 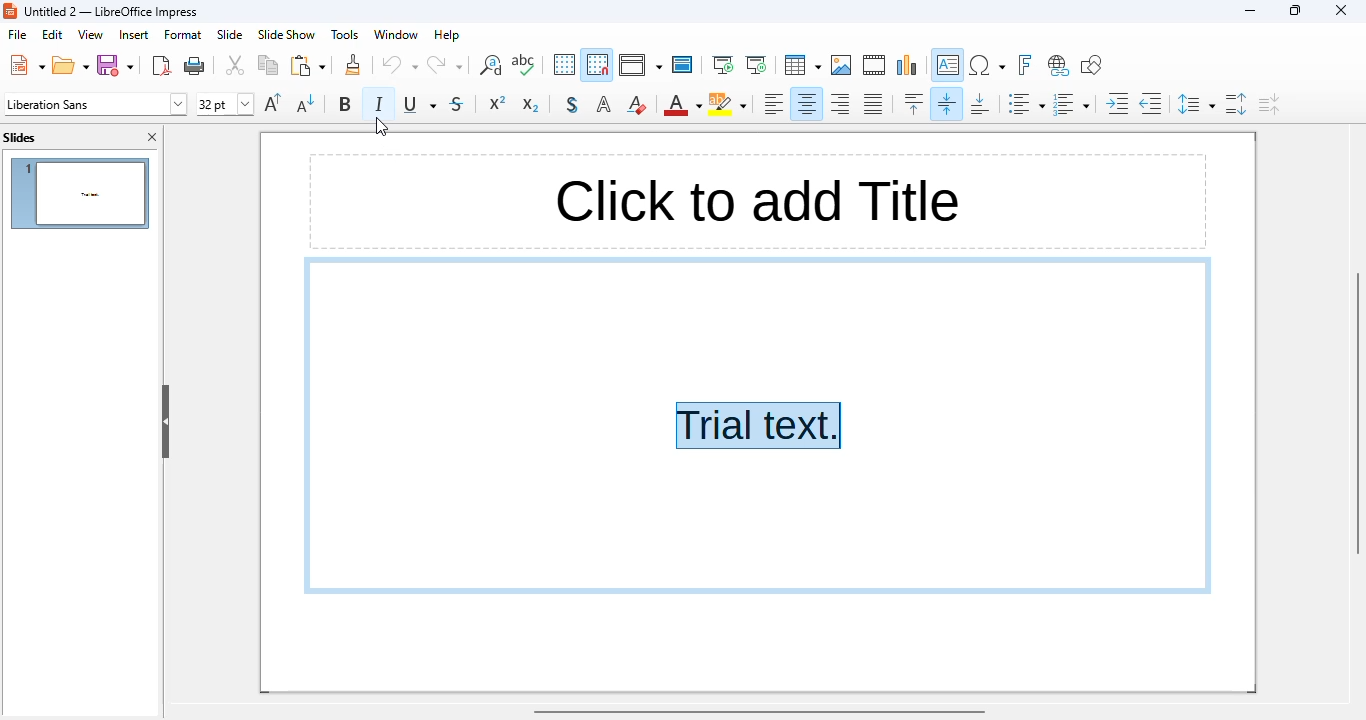 I want to click on insert chart, so click(x=908, y=65).